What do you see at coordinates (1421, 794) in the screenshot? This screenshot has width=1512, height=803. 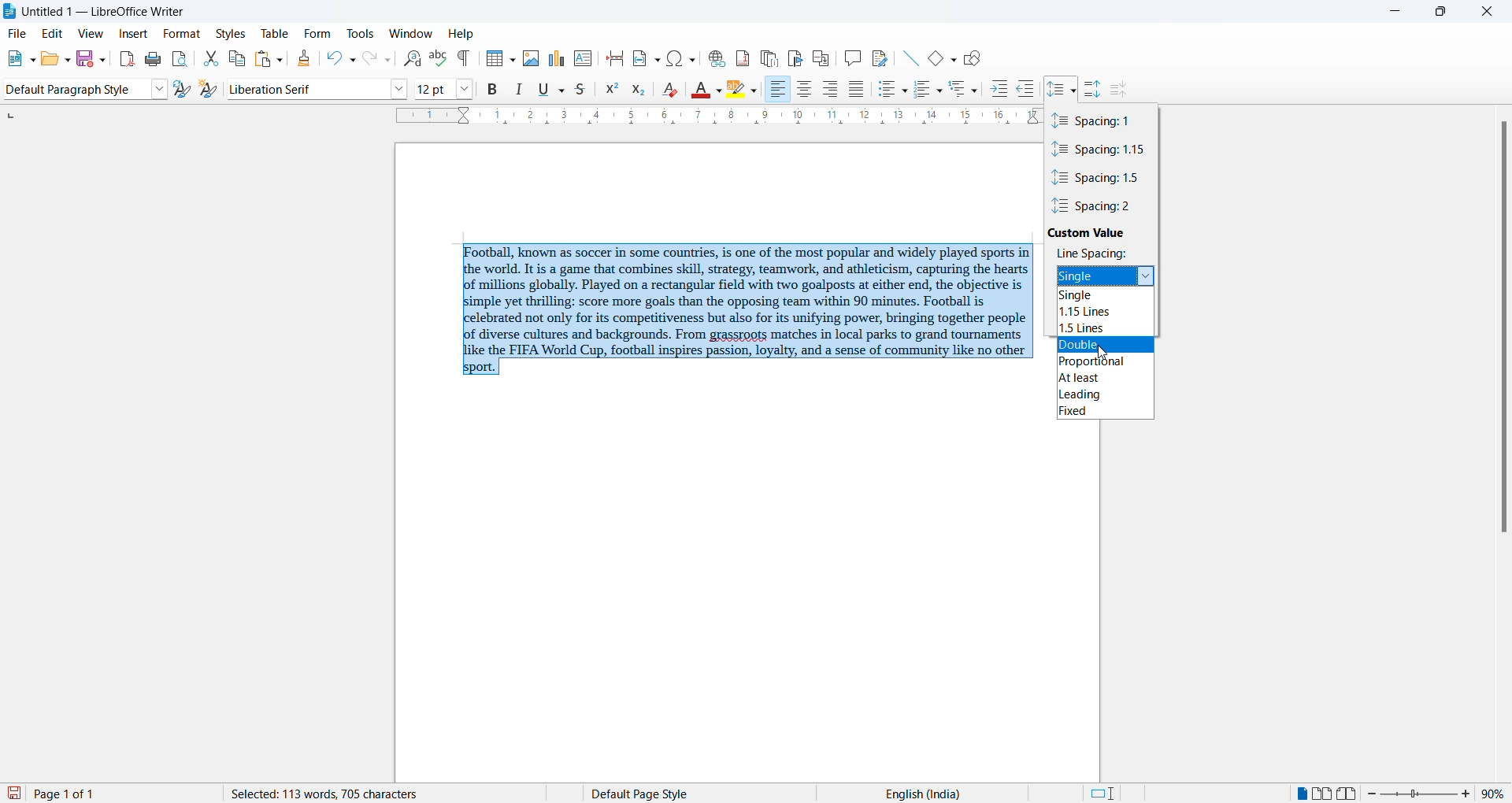 I see `zoom slider` at bounding box center [1421, 794].